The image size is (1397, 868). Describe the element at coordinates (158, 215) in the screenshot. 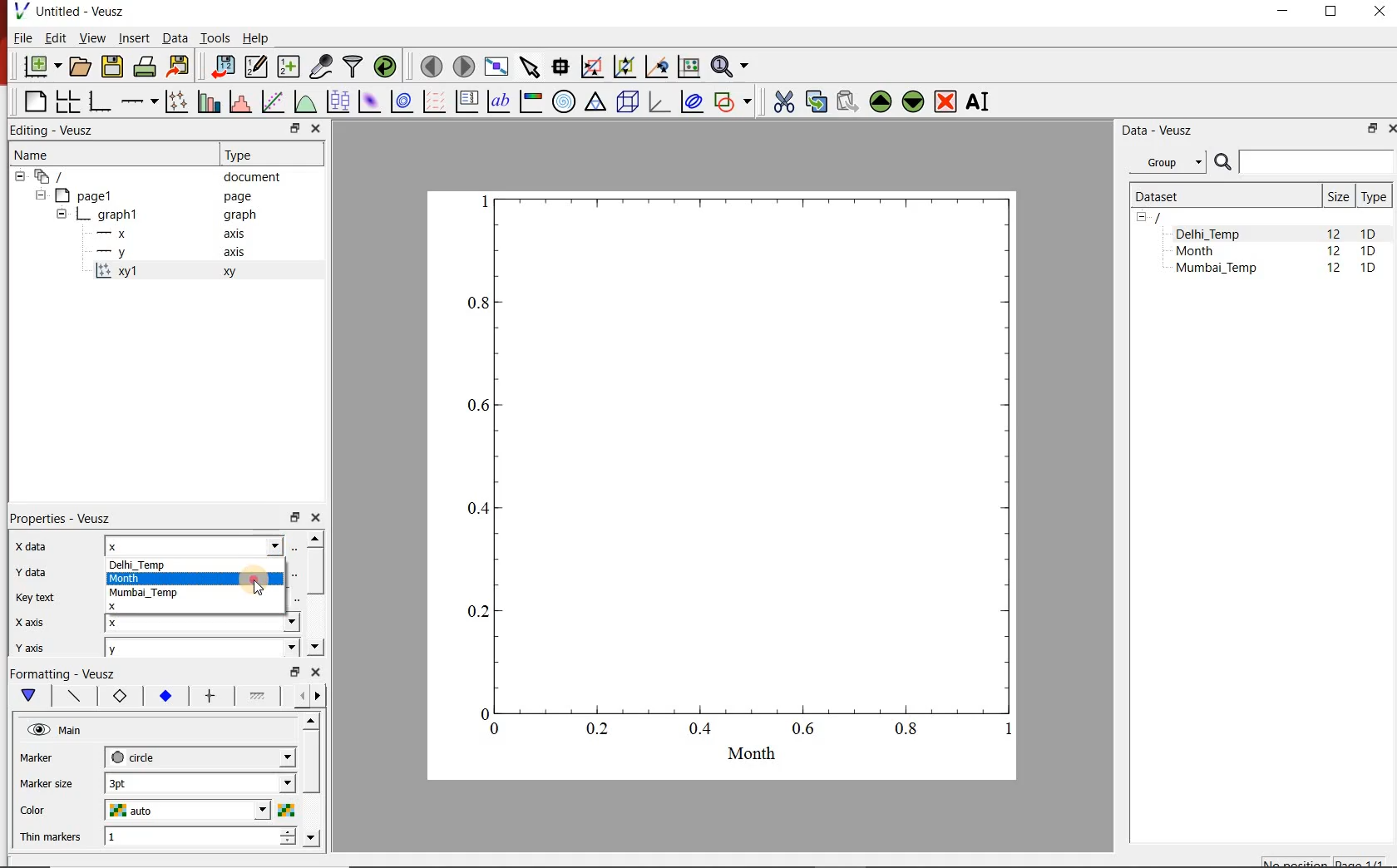

I see `graph1` at that location.